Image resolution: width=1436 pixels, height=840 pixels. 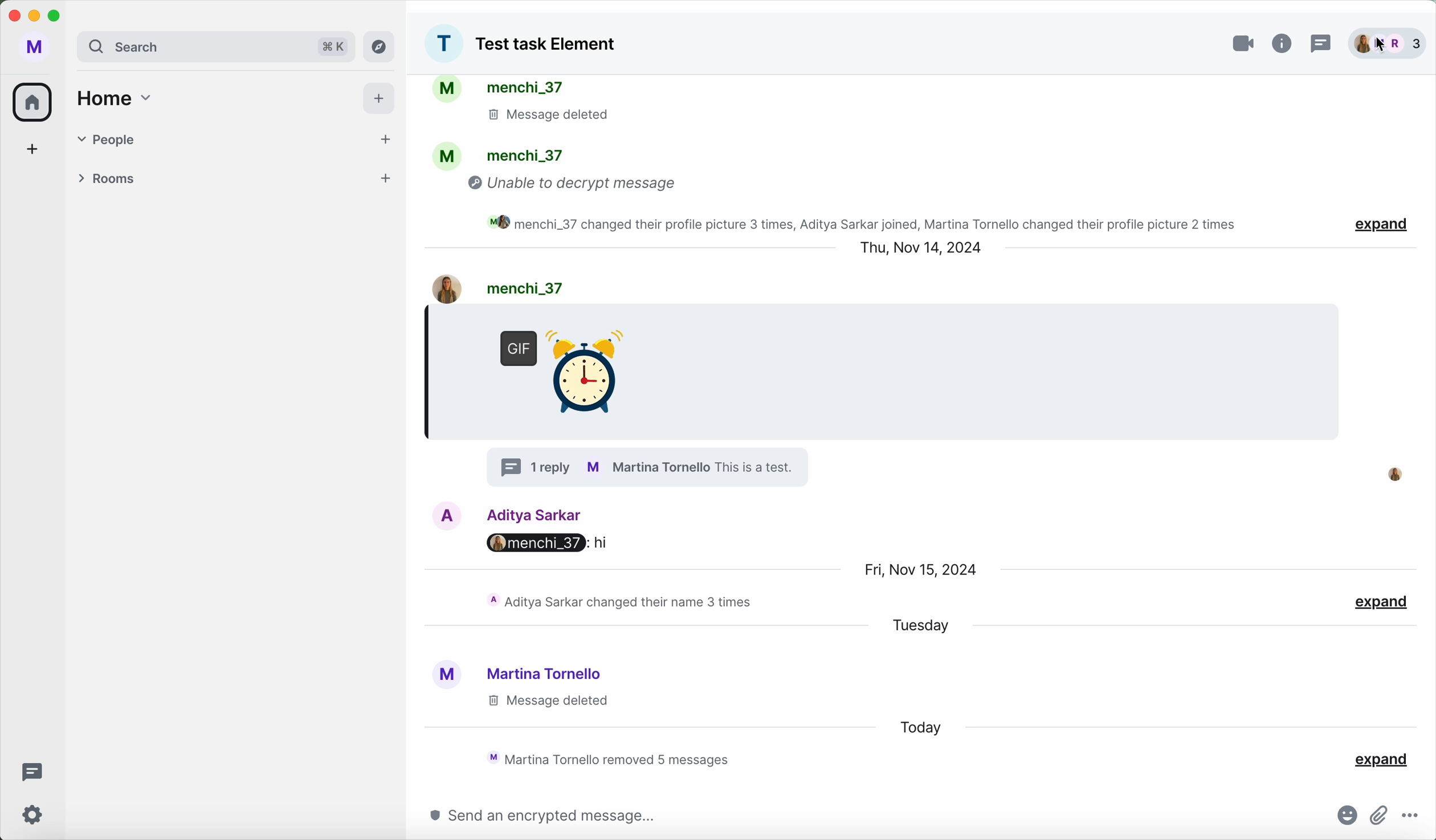 I want to click on threads, so click(x=30, y=770).